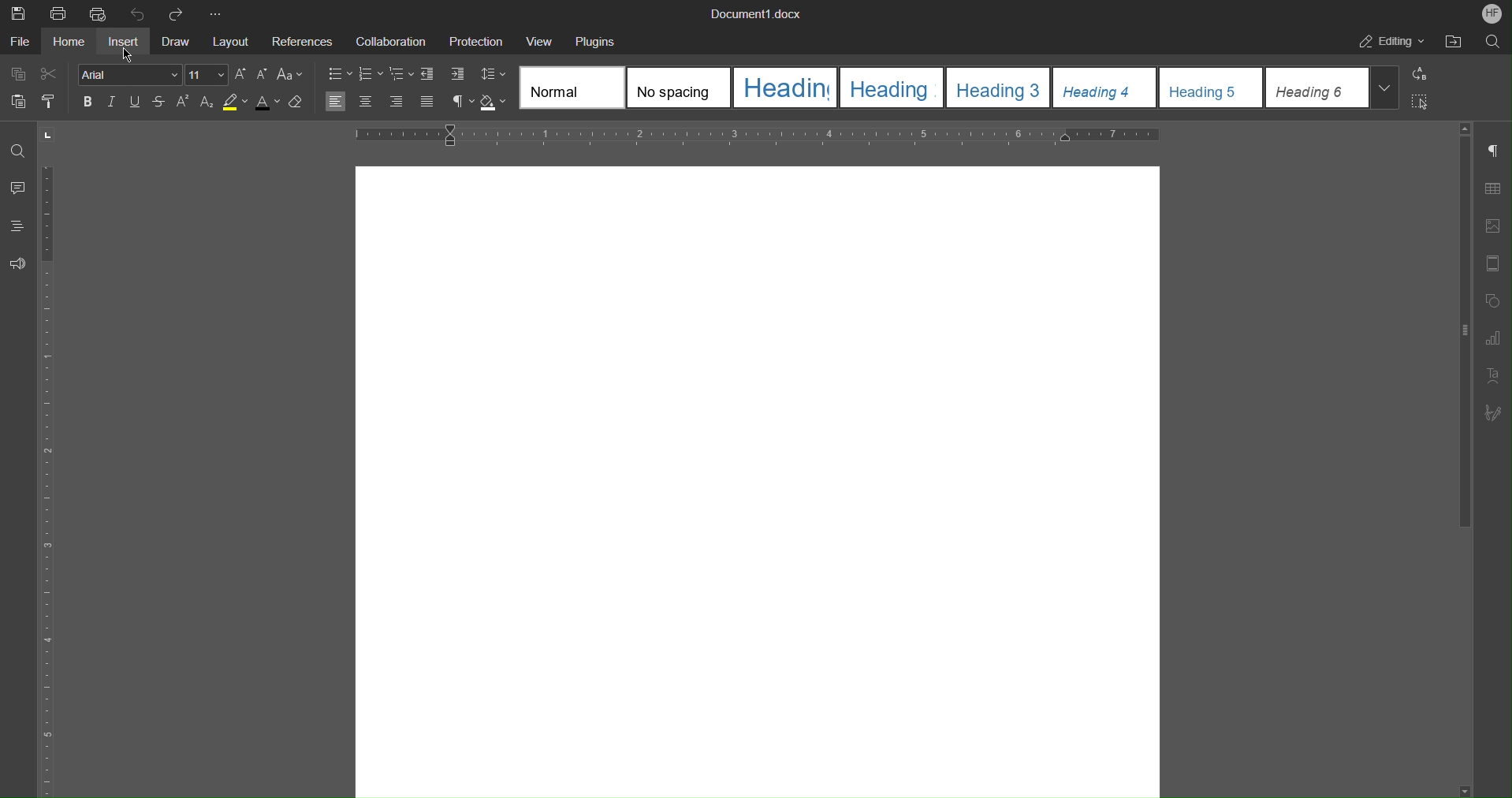 The image size is (1512, 798). What do you see at coordinates (236, 102) in the screenshot?
I see `Highlight` at bounding box center [236, 102].